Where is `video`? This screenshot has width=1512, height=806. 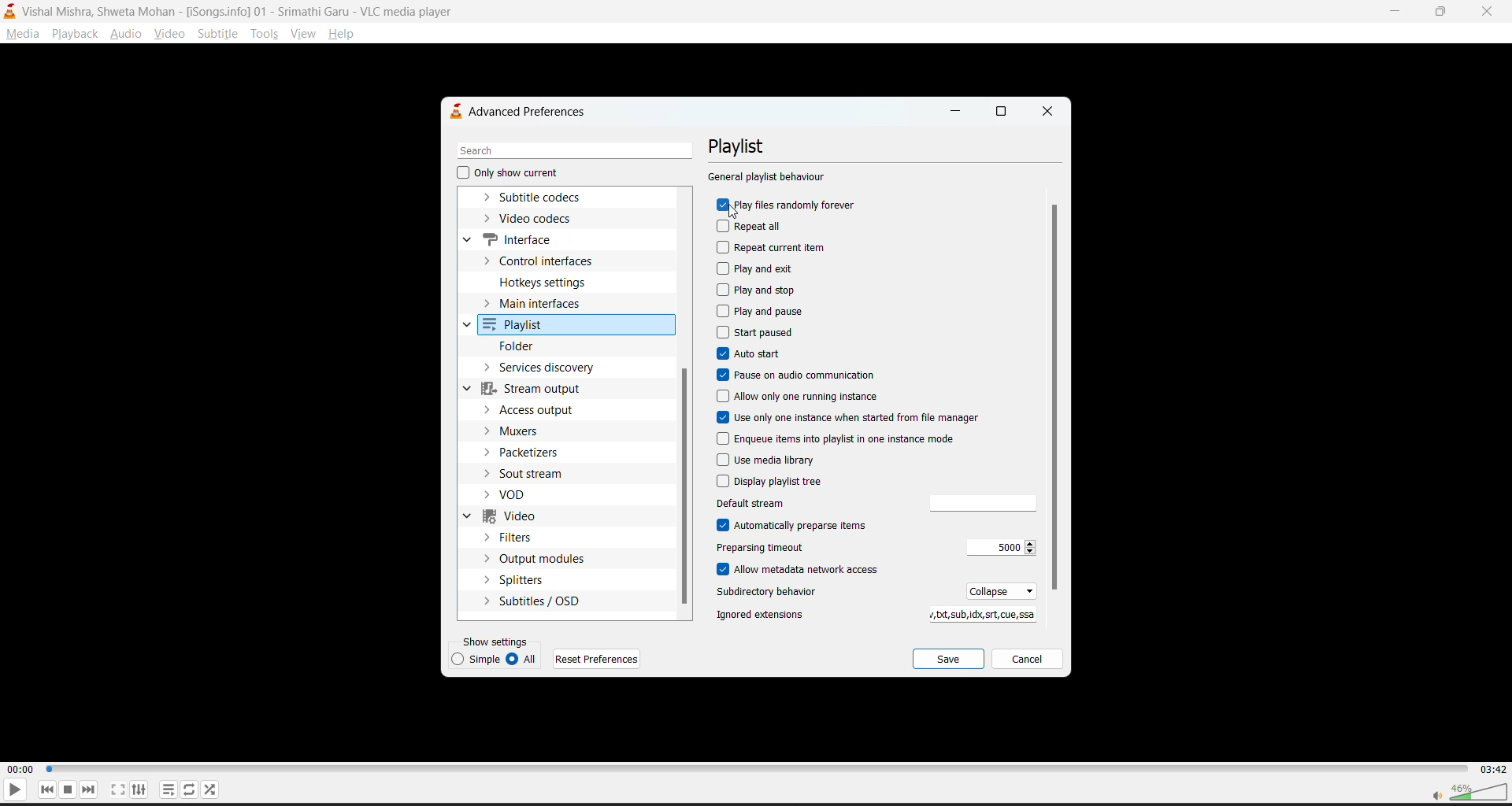
video is located at coordinates (513, 516).